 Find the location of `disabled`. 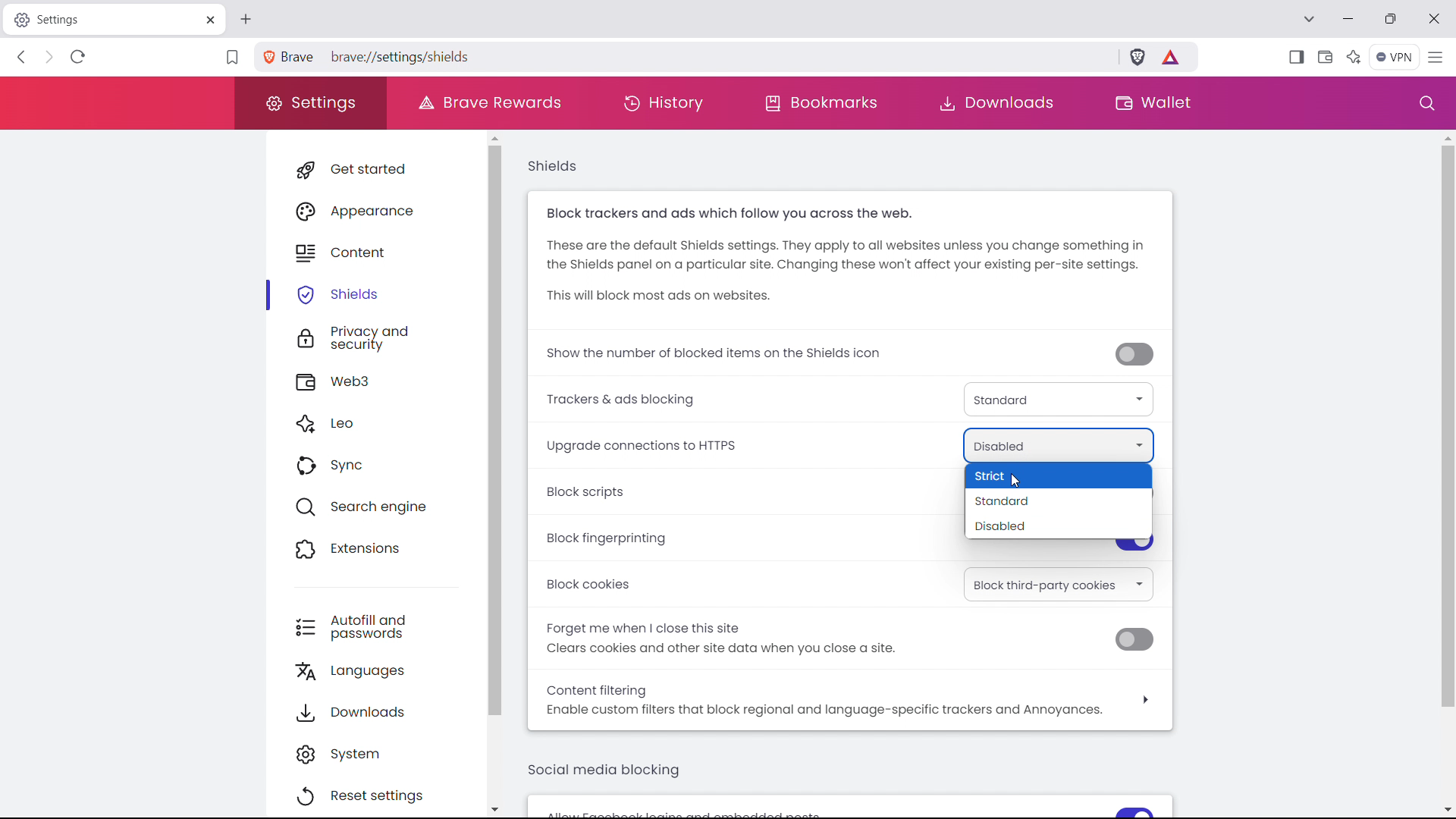

disabled is located at coordinates (1059, 527).